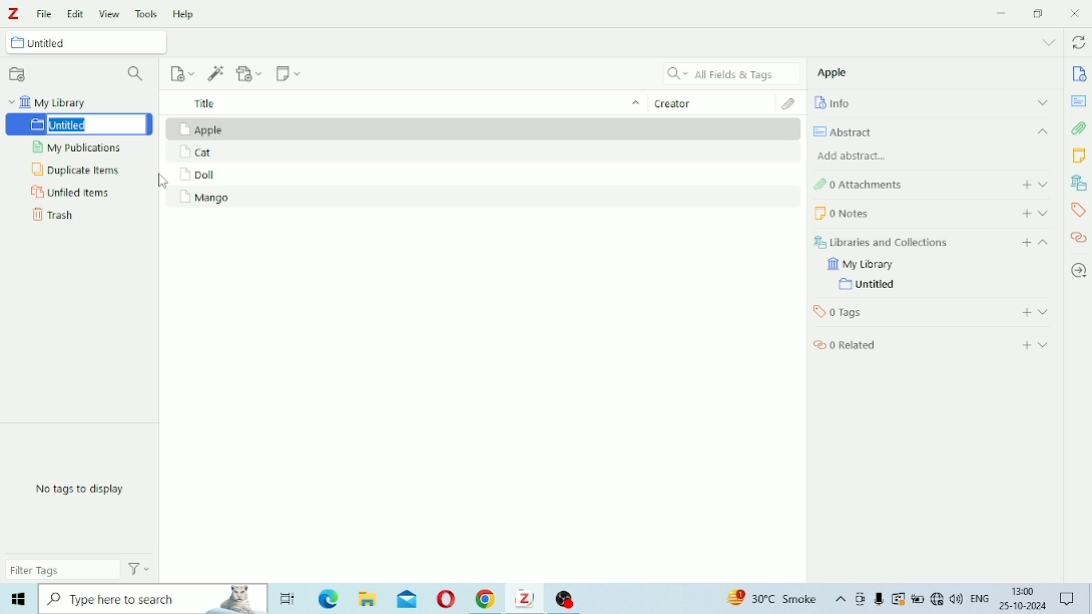 The image size is (1092, 614). What do you see at coordinates (16, 600) in the screenshot?
I see `` at bounding box center [16, 600].